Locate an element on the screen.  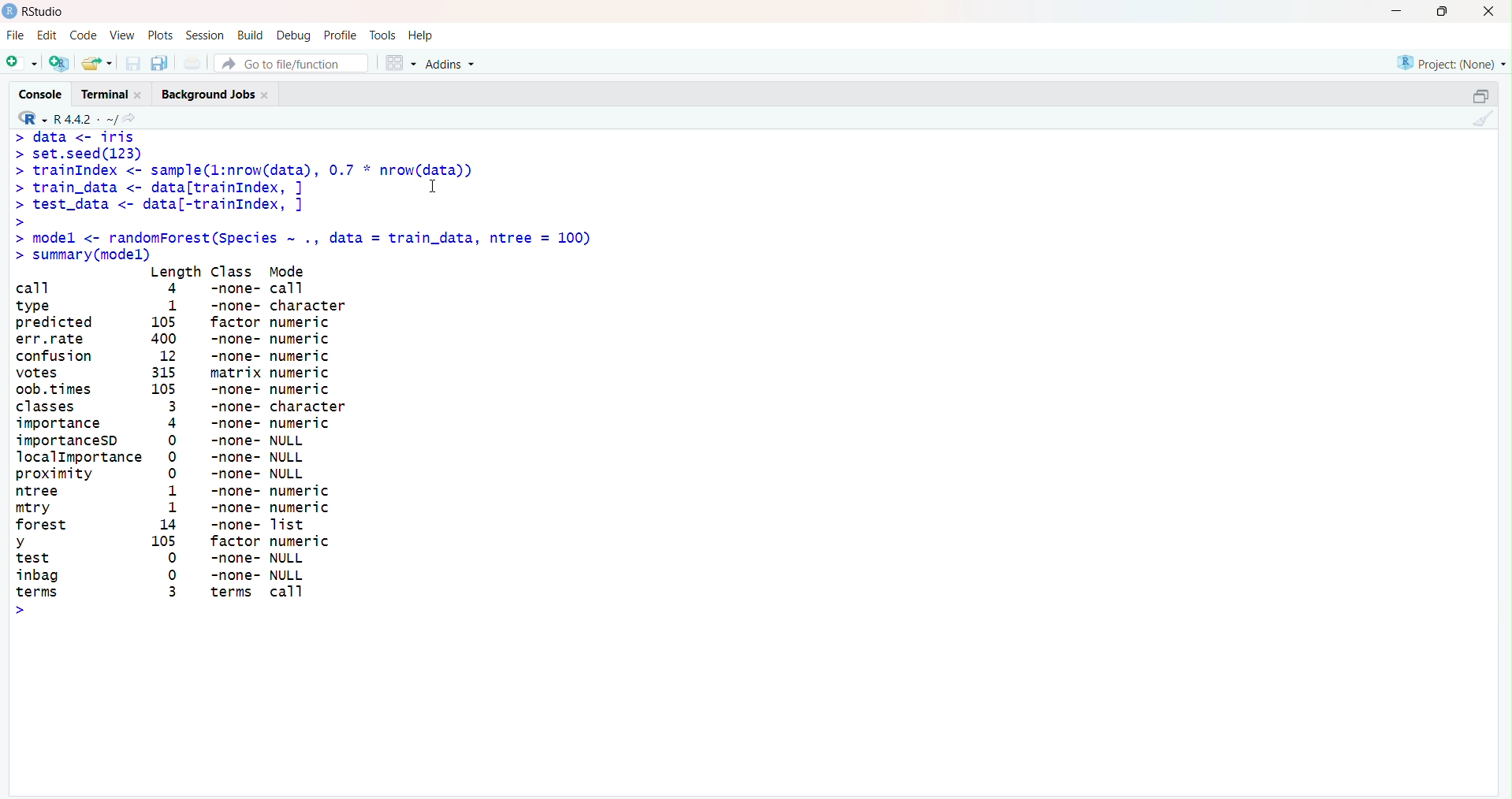
Close is located at coordinates (1489, 13).